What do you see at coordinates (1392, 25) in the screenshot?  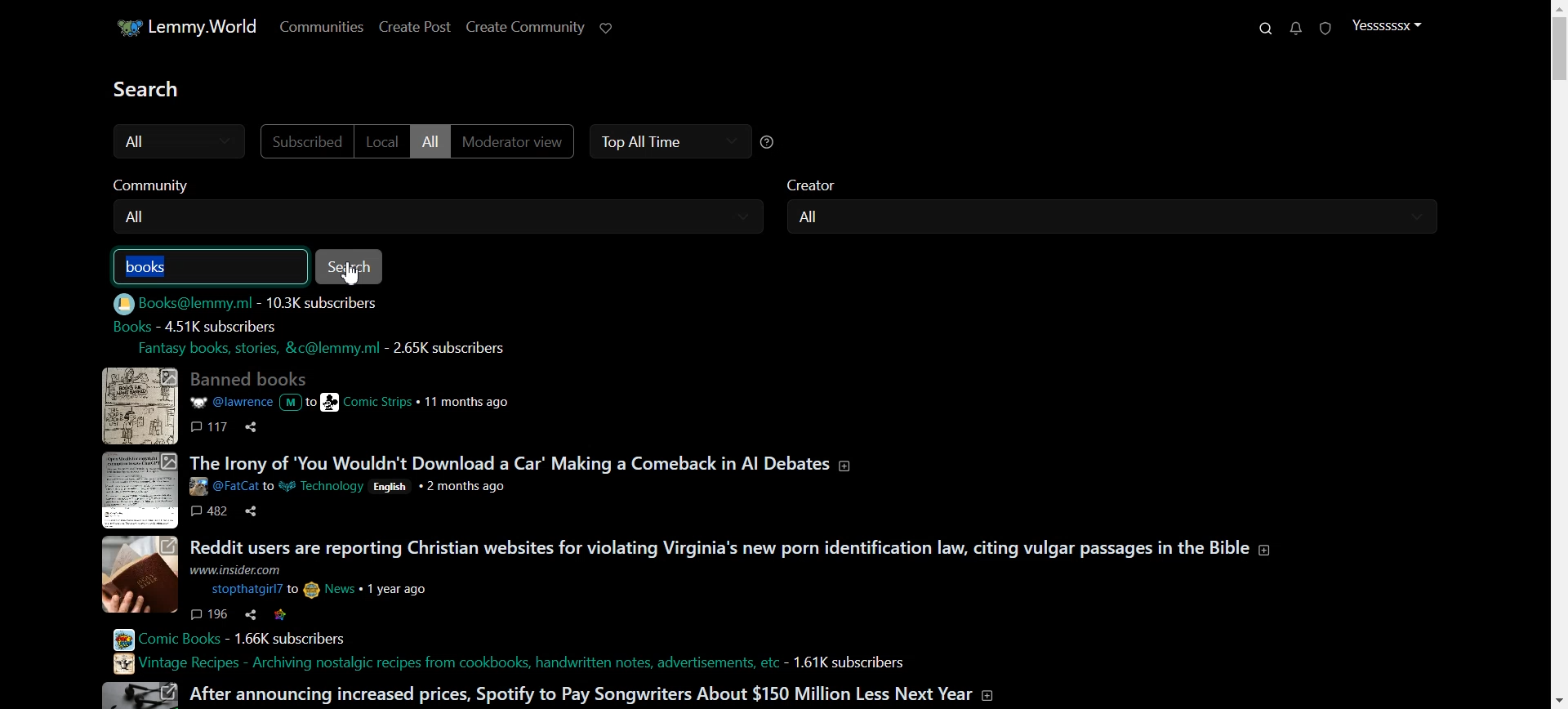 I see `Profile` at bounding box center [1392, 25].